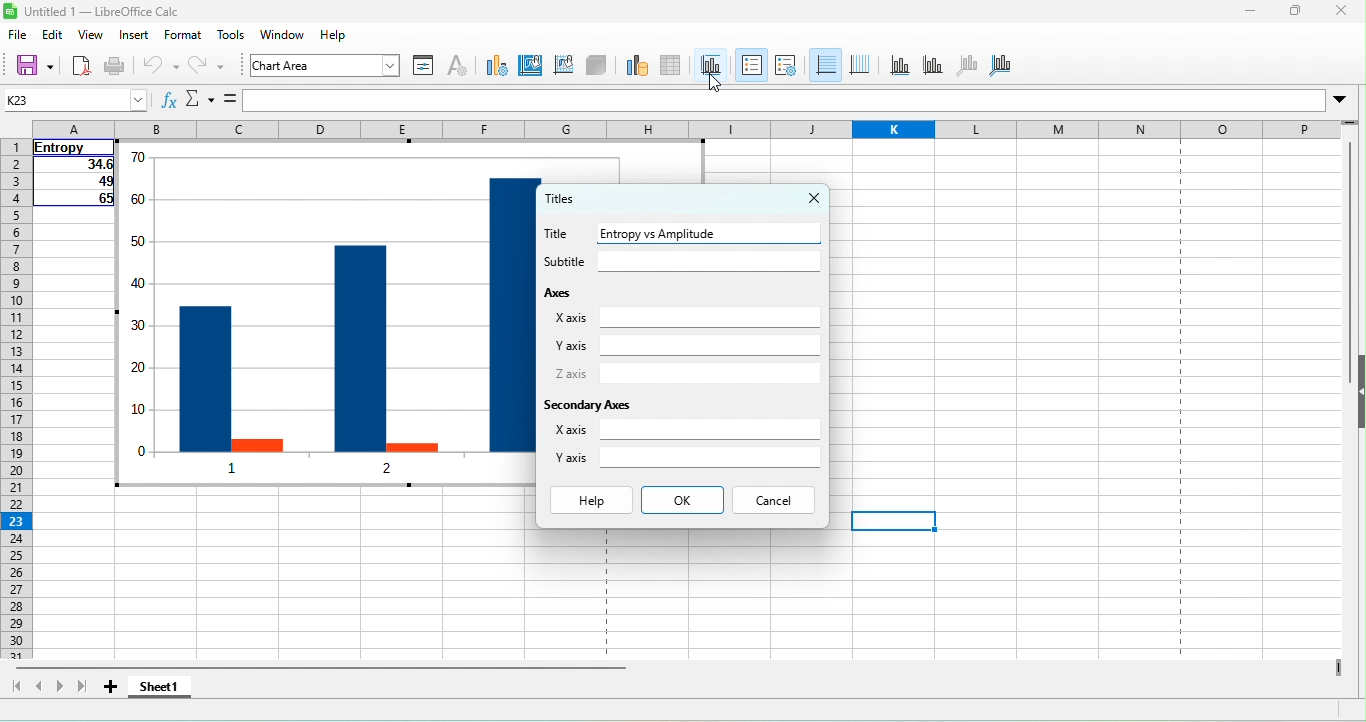 The width and height of the screenshot is (1366, 722). I want to click on format selection, so click(425, 67).